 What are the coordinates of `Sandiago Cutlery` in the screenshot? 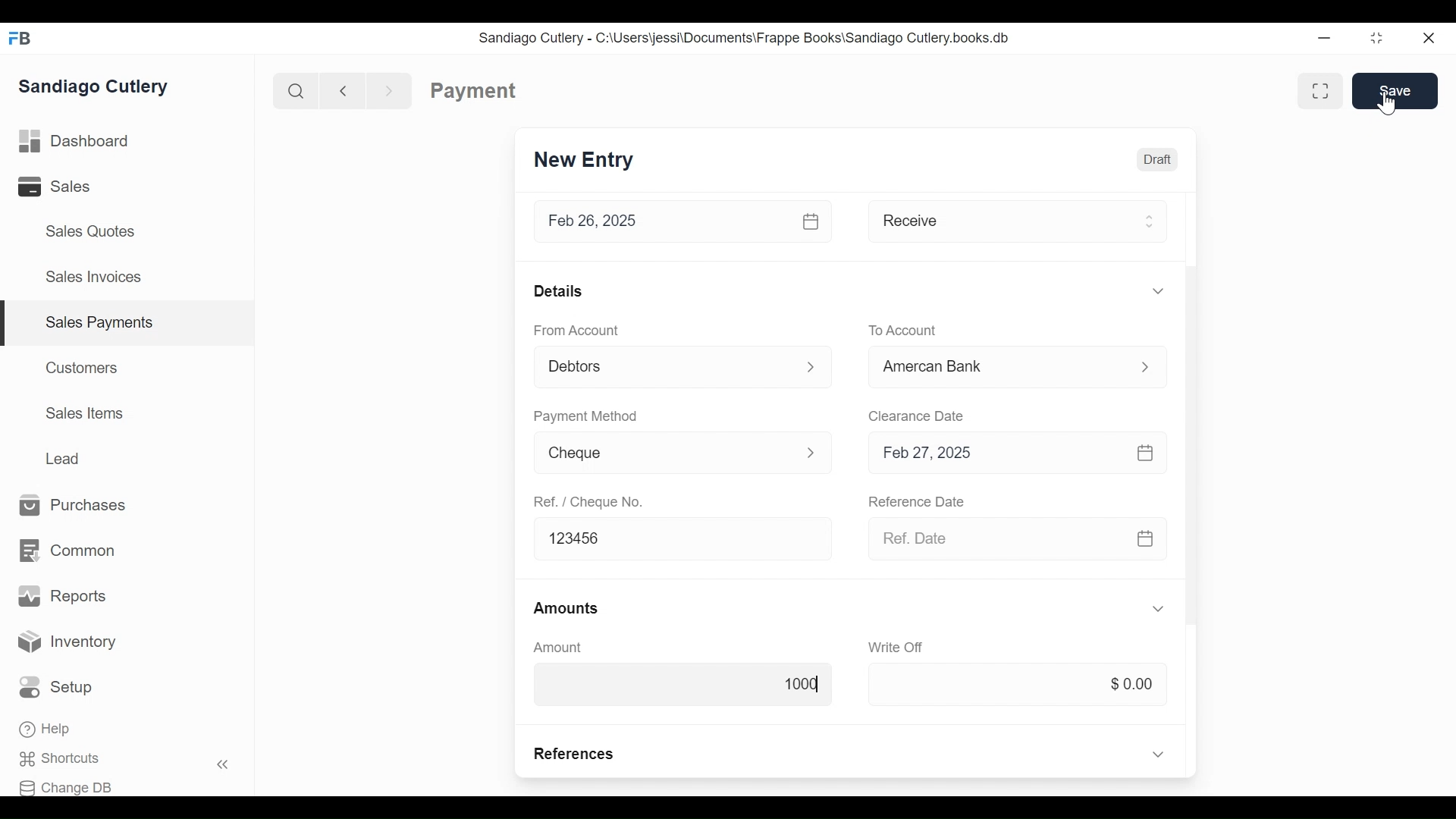 It's located at (96, 86).